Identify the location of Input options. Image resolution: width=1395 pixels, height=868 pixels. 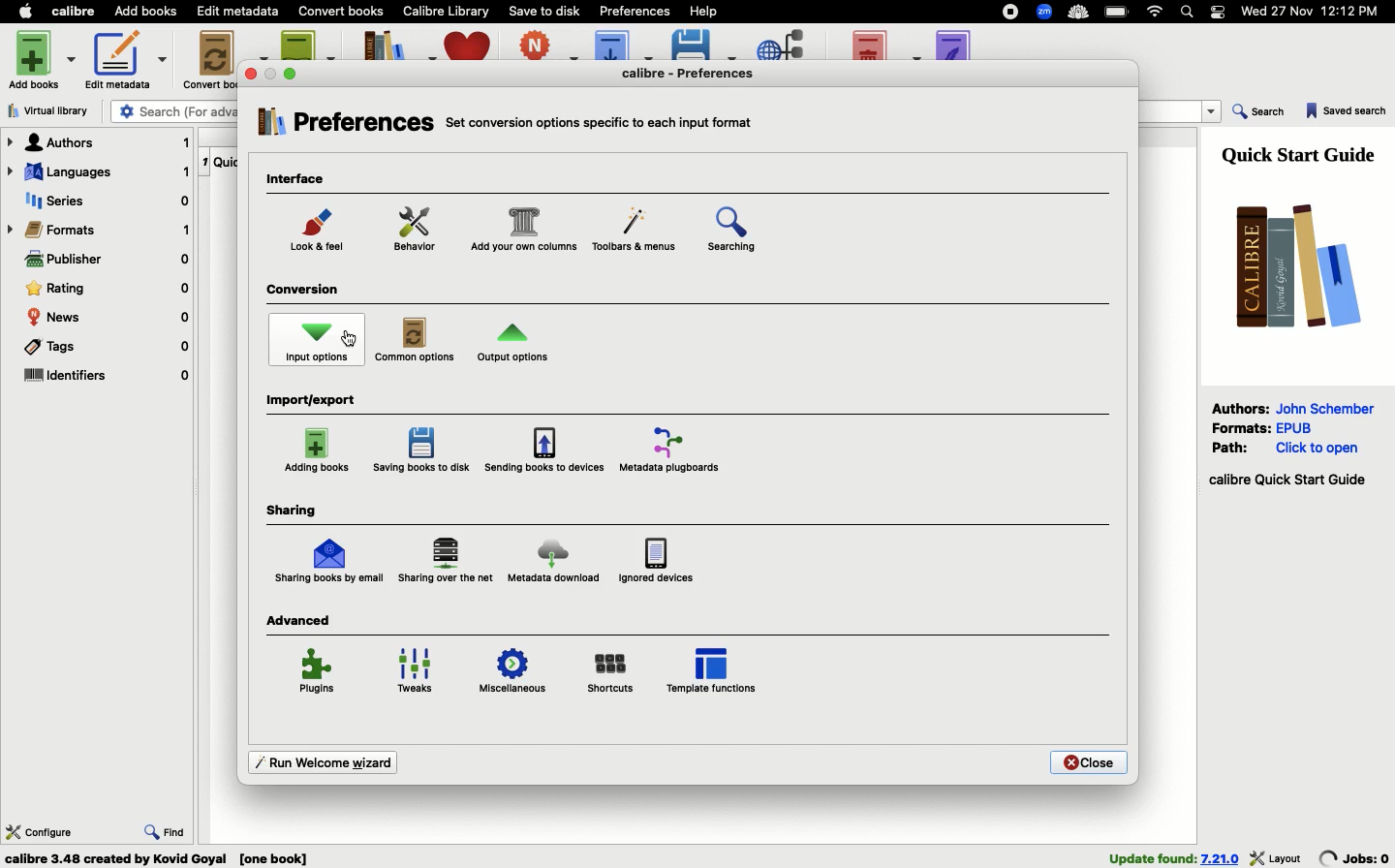
(318, 342).